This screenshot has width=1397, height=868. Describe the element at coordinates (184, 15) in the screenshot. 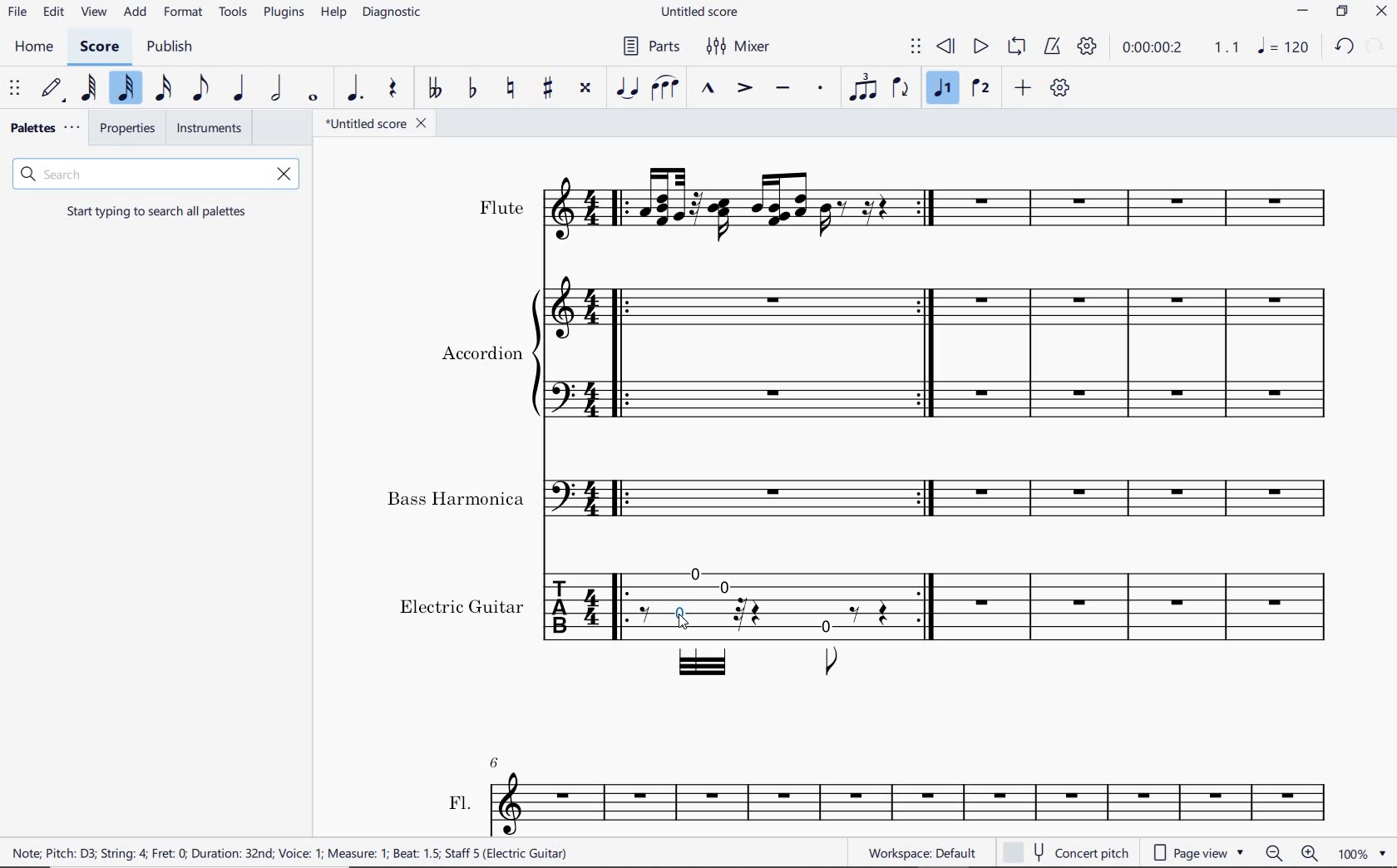

I see `format` at that location.